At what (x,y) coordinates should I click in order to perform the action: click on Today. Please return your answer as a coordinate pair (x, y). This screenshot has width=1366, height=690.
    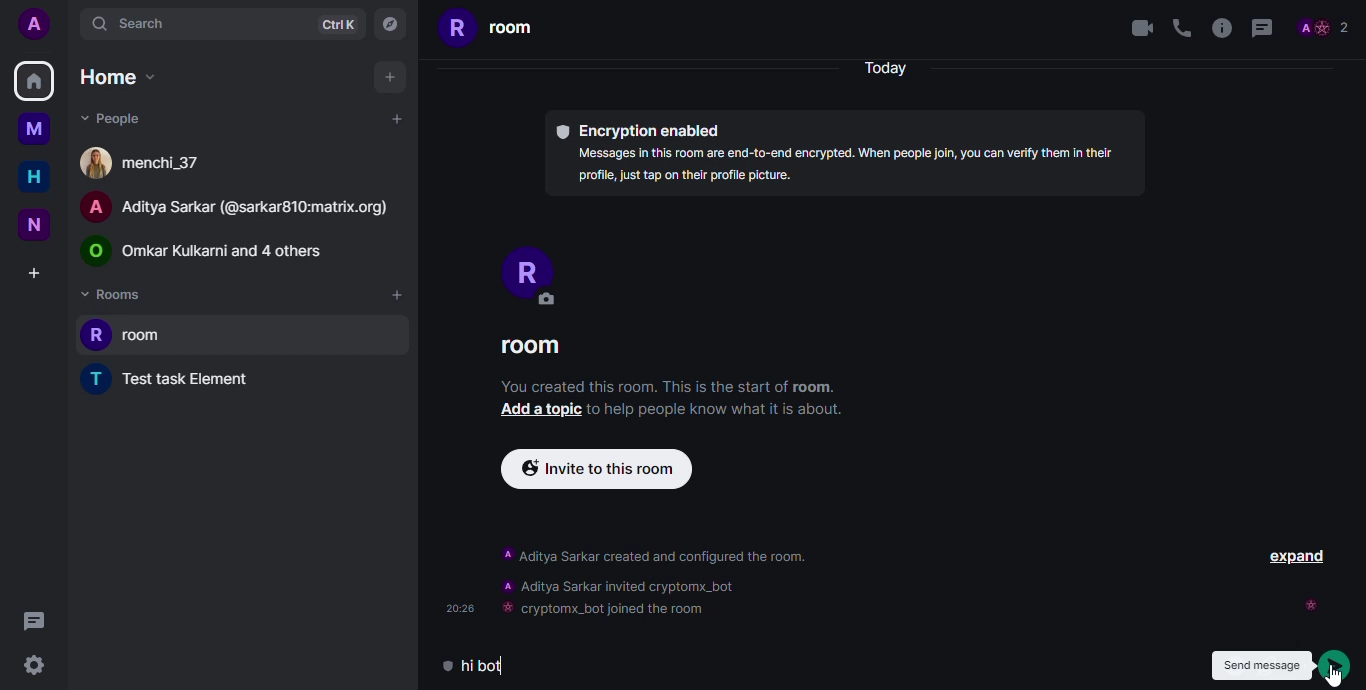
    Looking at the image, I should click on (892, 69).